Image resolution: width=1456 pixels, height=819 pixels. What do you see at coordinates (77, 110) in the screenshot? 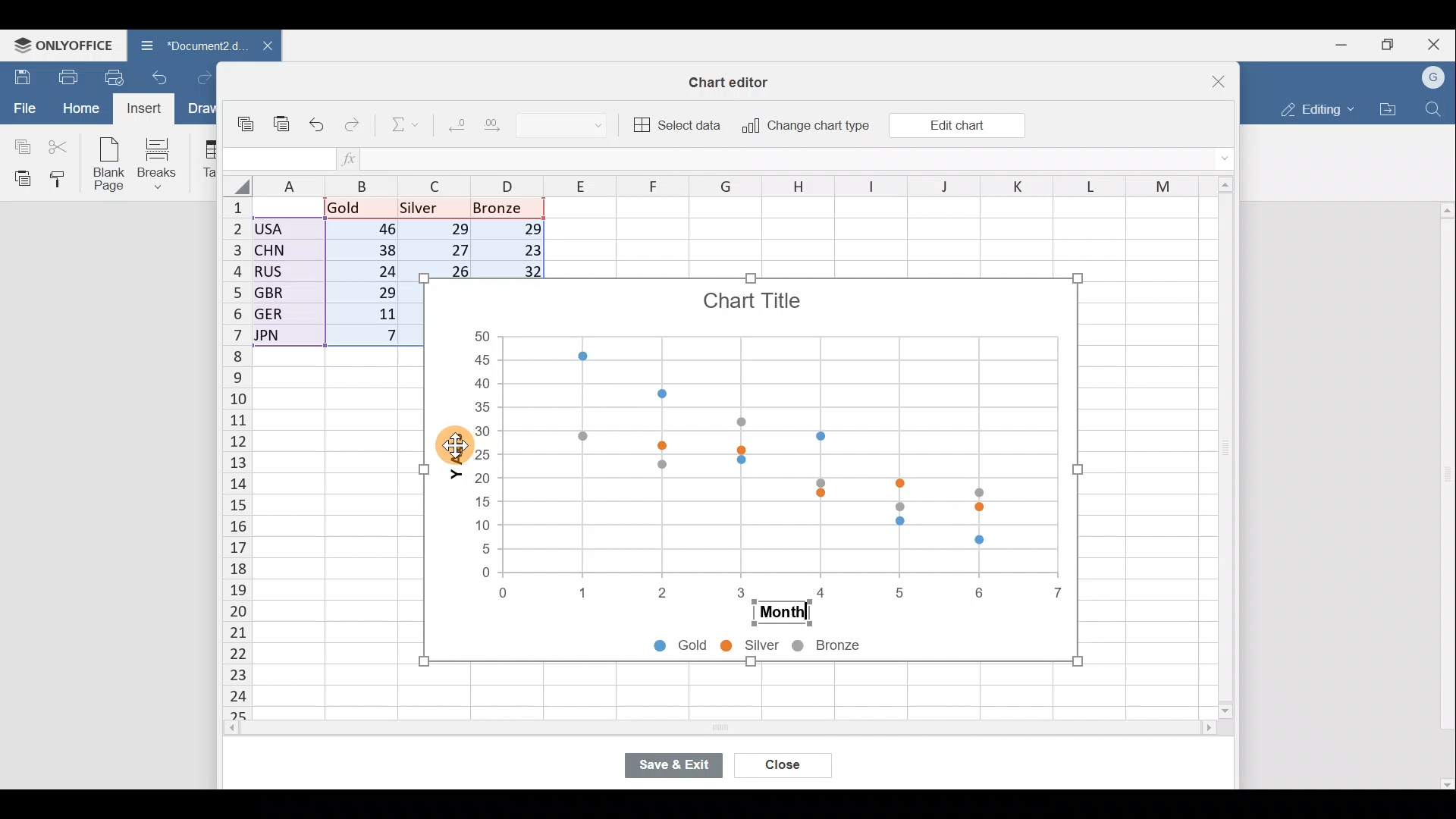
I see `Home` at bounding box center [77, 110].